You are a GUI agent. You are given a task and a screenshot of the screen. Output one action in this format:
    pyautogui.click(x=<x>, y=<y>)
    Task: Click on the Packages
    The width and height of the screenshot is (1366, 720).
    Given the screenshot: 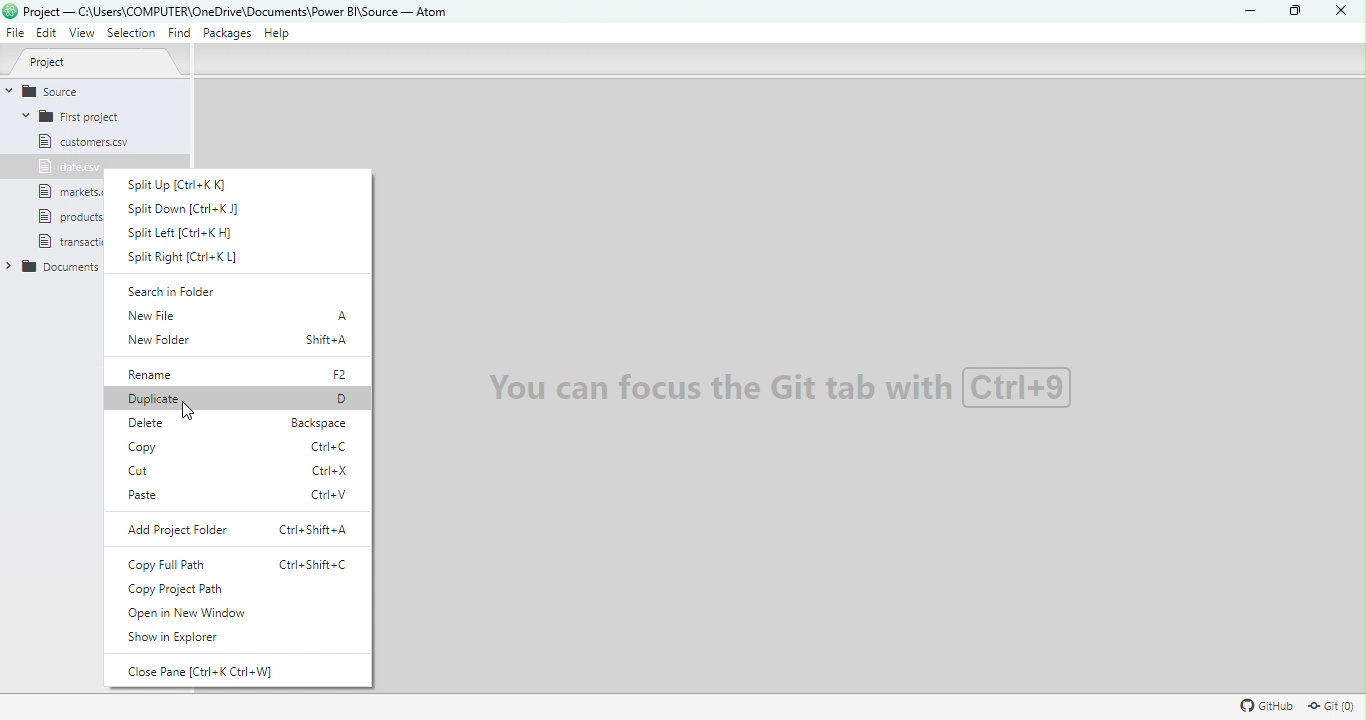 What is the action you would take?
    pyautogui.click(x=230, y=33)
    